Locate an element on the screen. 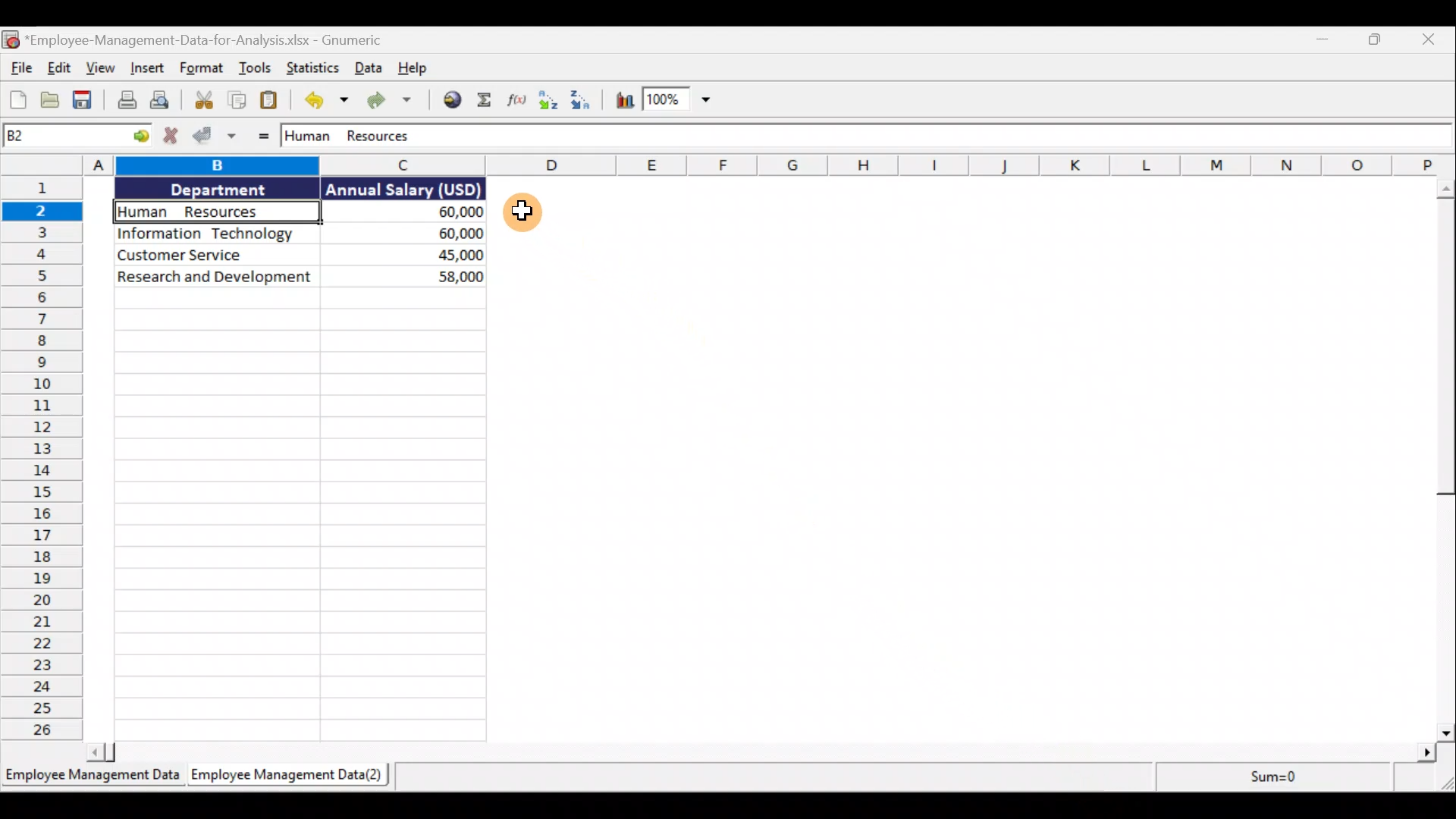  Insert is located at coordinates (146, 65).